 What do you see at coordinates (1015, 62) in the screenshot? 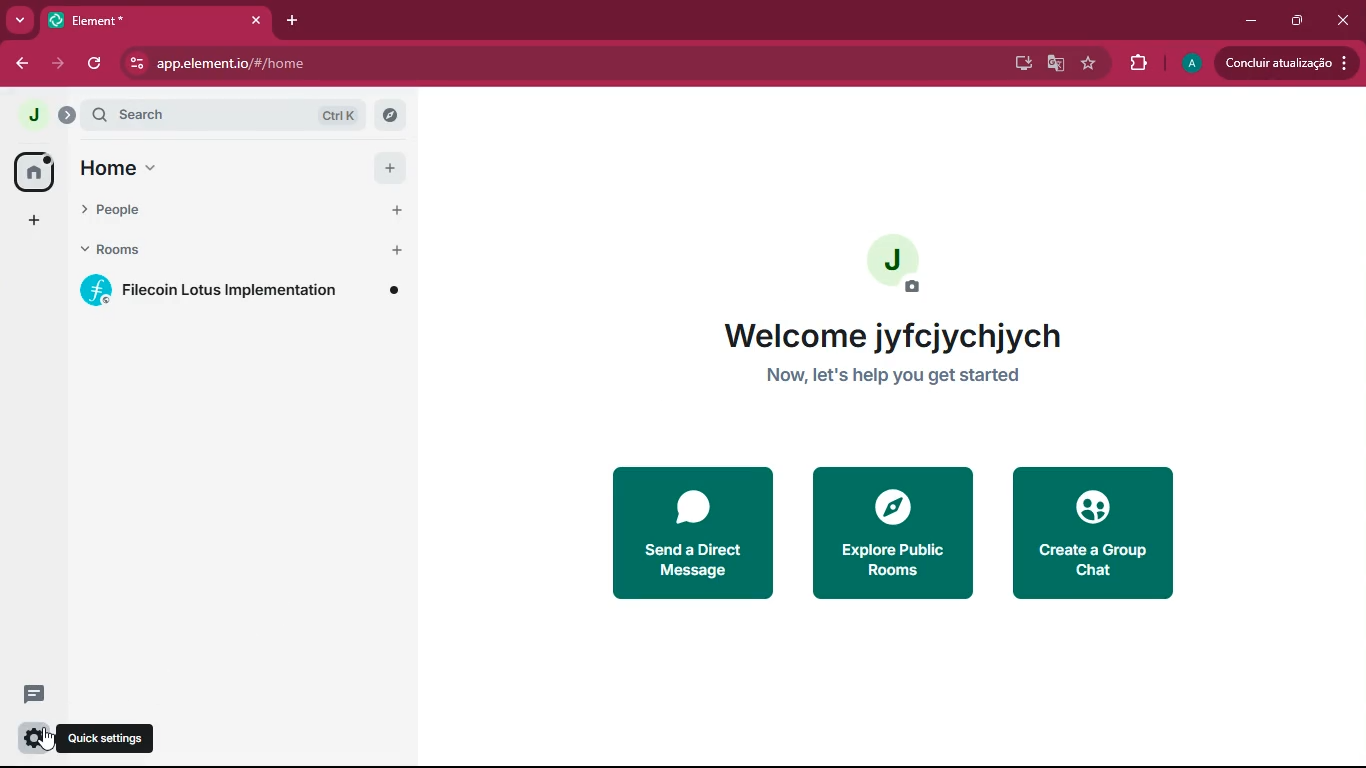
I see `desktop` at bounding box center [1015, 62].